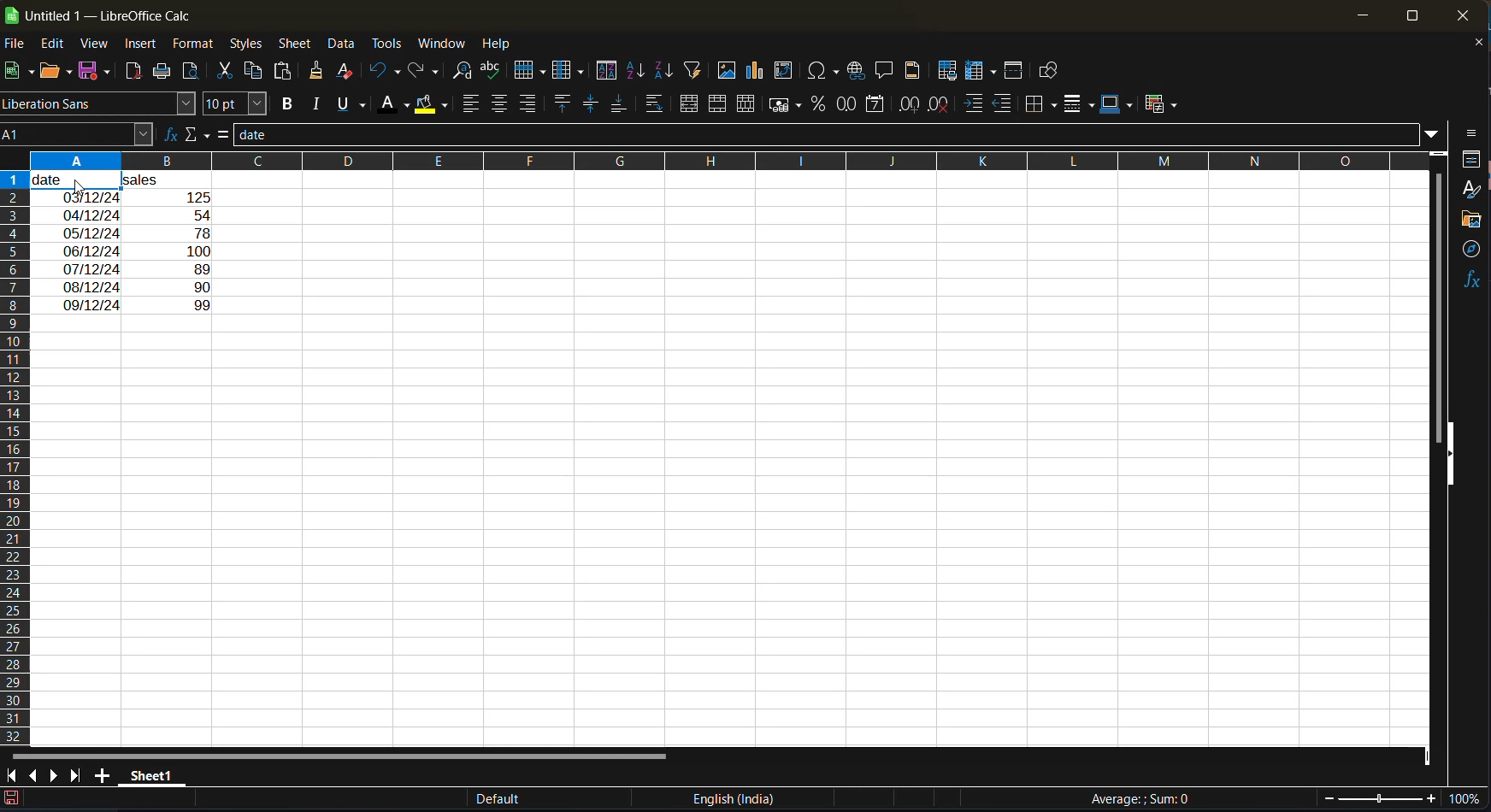 The width and height of the screenshot is (1491, 812). What do you see at coordinates (821, 108) in the screenshot?
I see `format as percent` at bounding box center [821, 108].